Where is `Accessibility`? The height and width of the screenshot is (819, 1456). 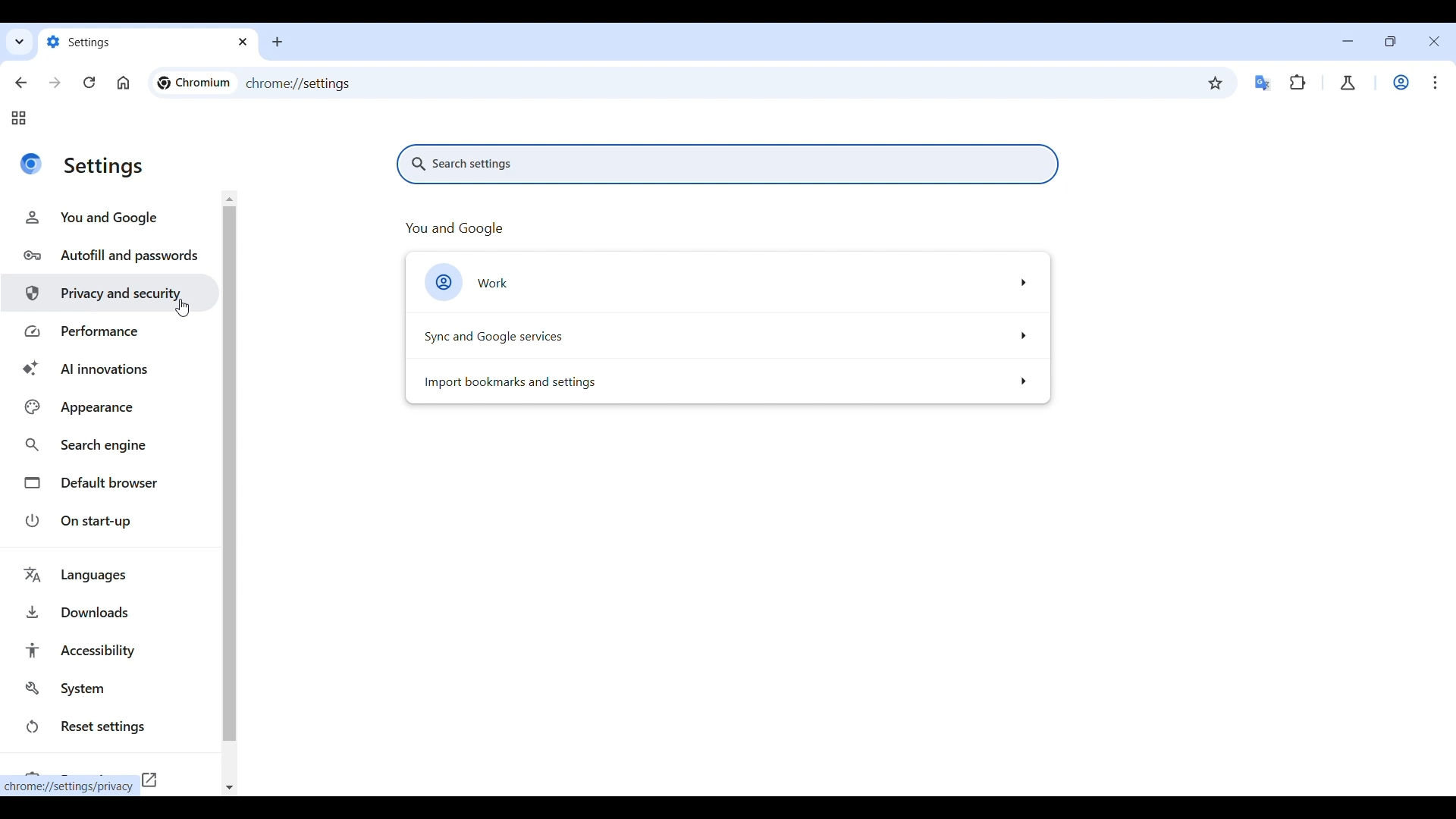 Accessibility is located at coordinates (111, 650).